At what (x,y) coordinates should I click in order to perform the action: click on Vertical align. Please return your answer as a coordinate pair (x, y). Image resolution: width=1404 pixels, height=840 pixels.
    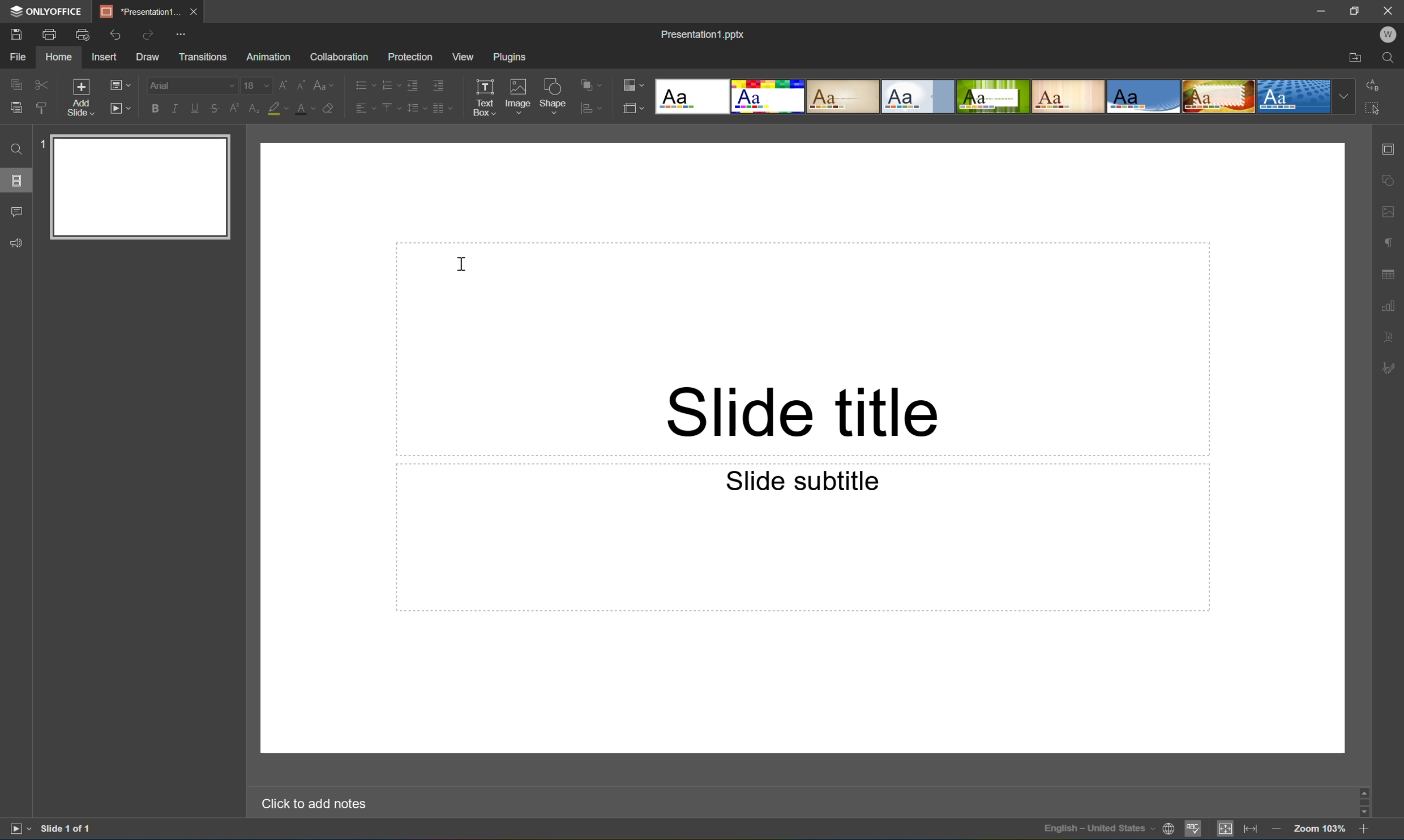
    Looking at the image, I should click on (392, 106).